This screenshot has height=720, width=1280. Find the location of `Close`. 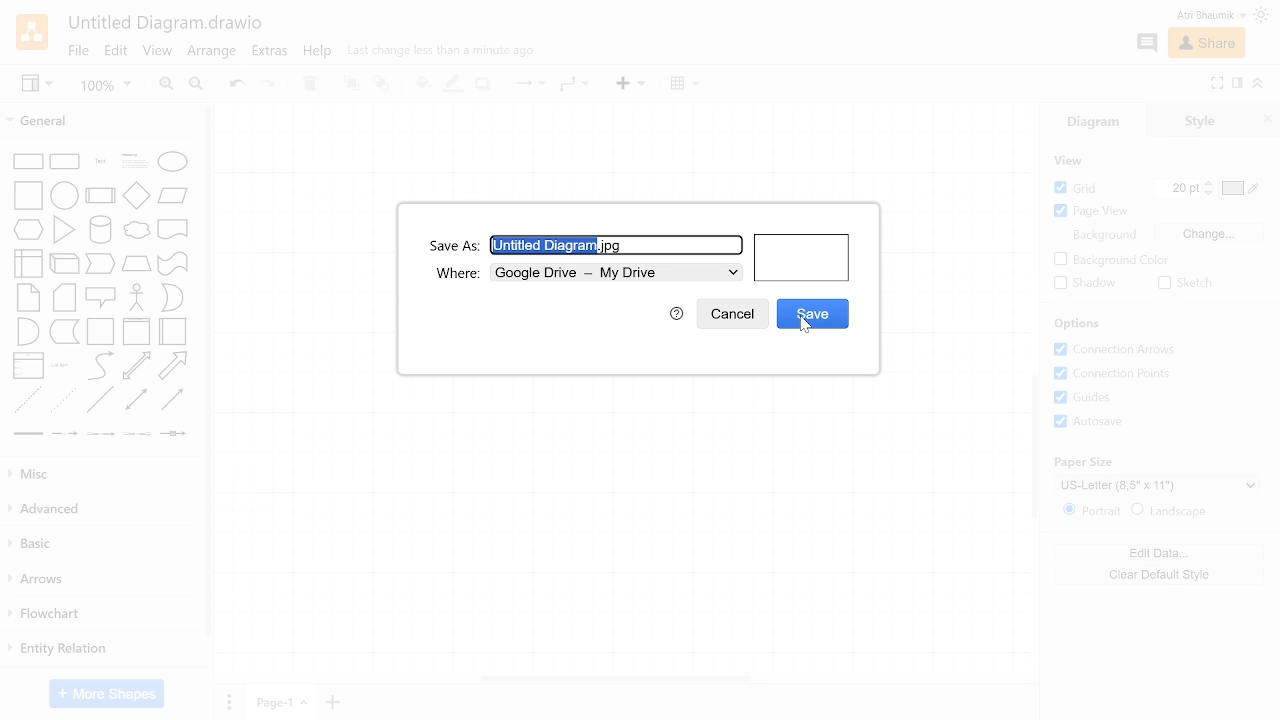

Close is located at coordinates (1267, 120).